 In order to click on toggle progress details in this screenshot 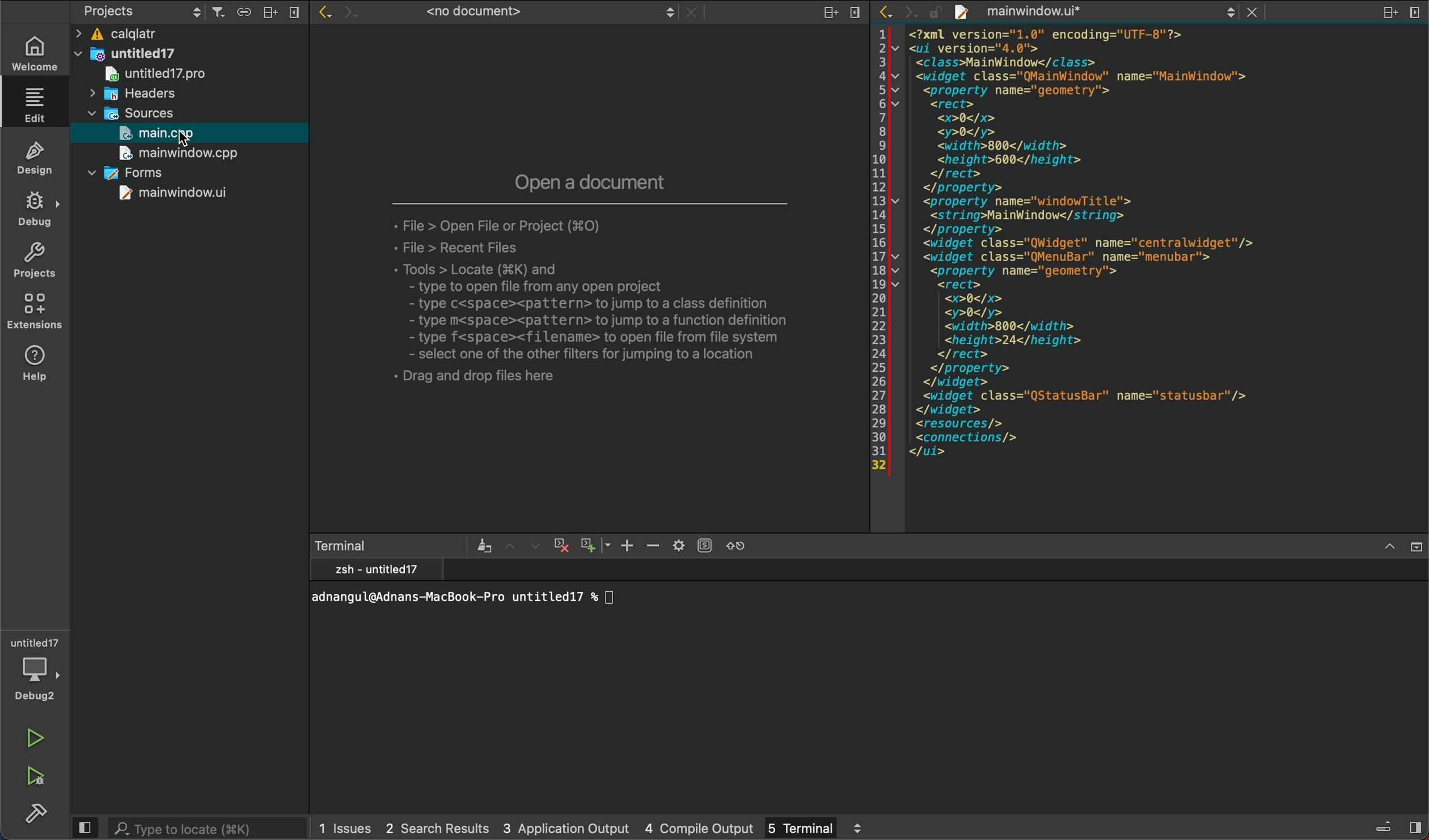, I will do `click(1384, 828)`.